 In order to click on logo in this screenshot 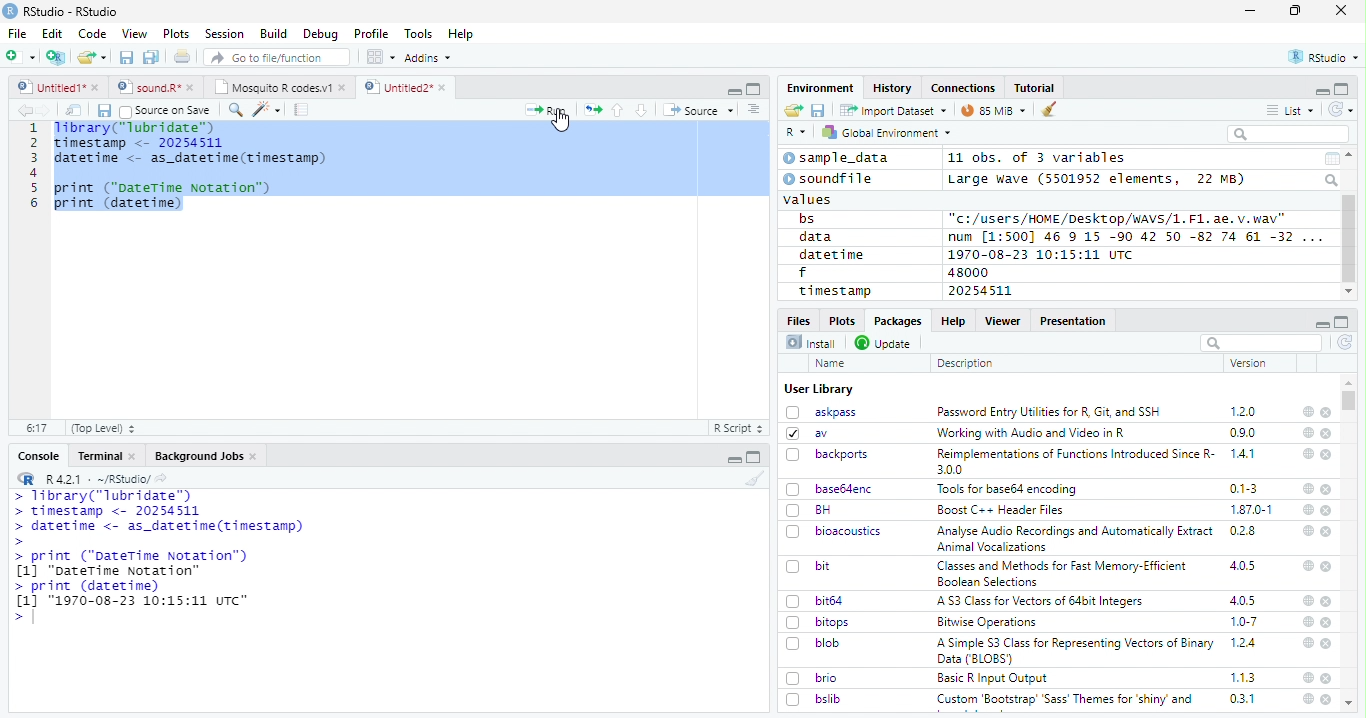, I will do `click(10, 11)`.